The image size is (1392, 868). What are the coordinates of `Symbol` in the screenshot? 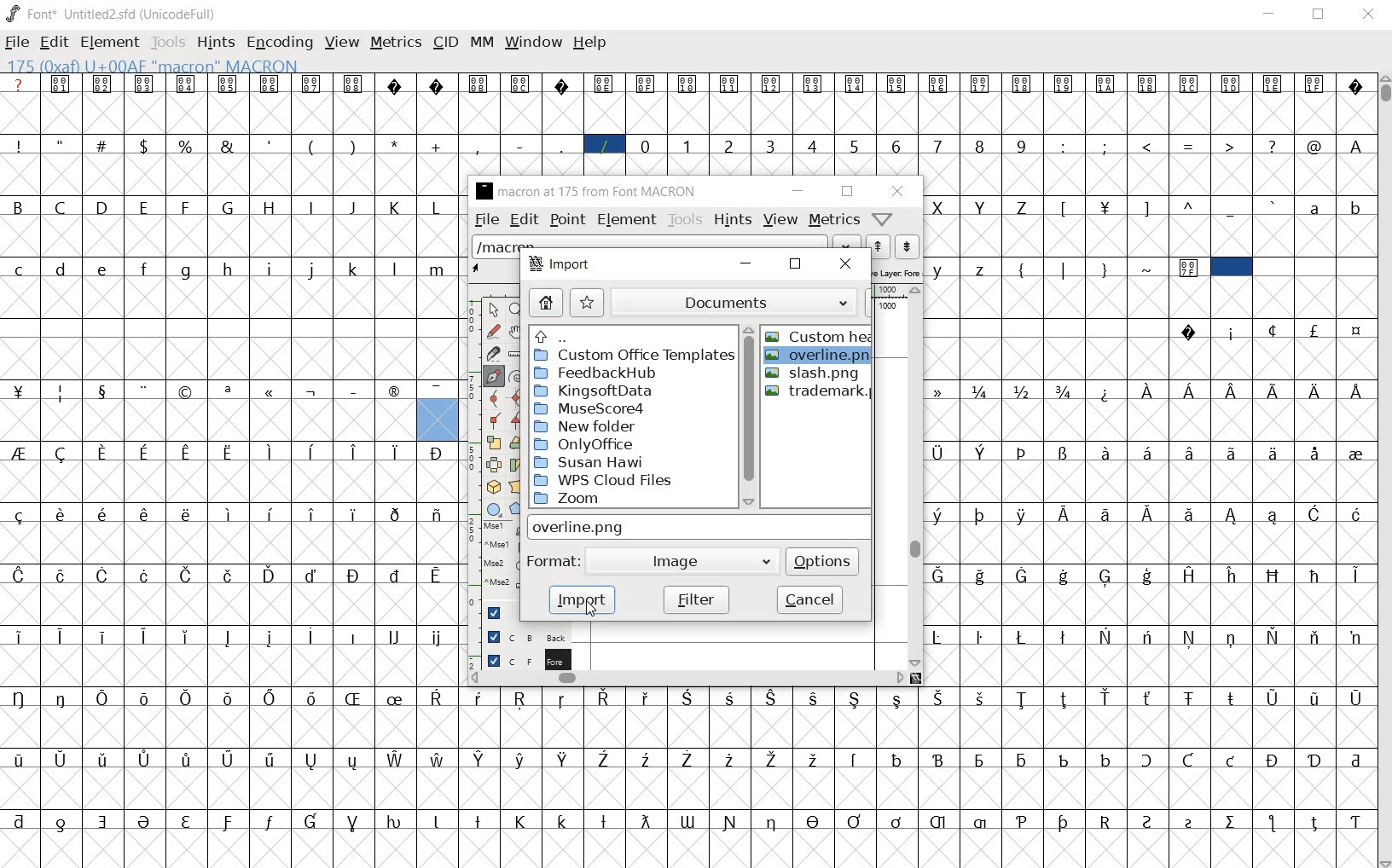 It's located at (1232, 85).